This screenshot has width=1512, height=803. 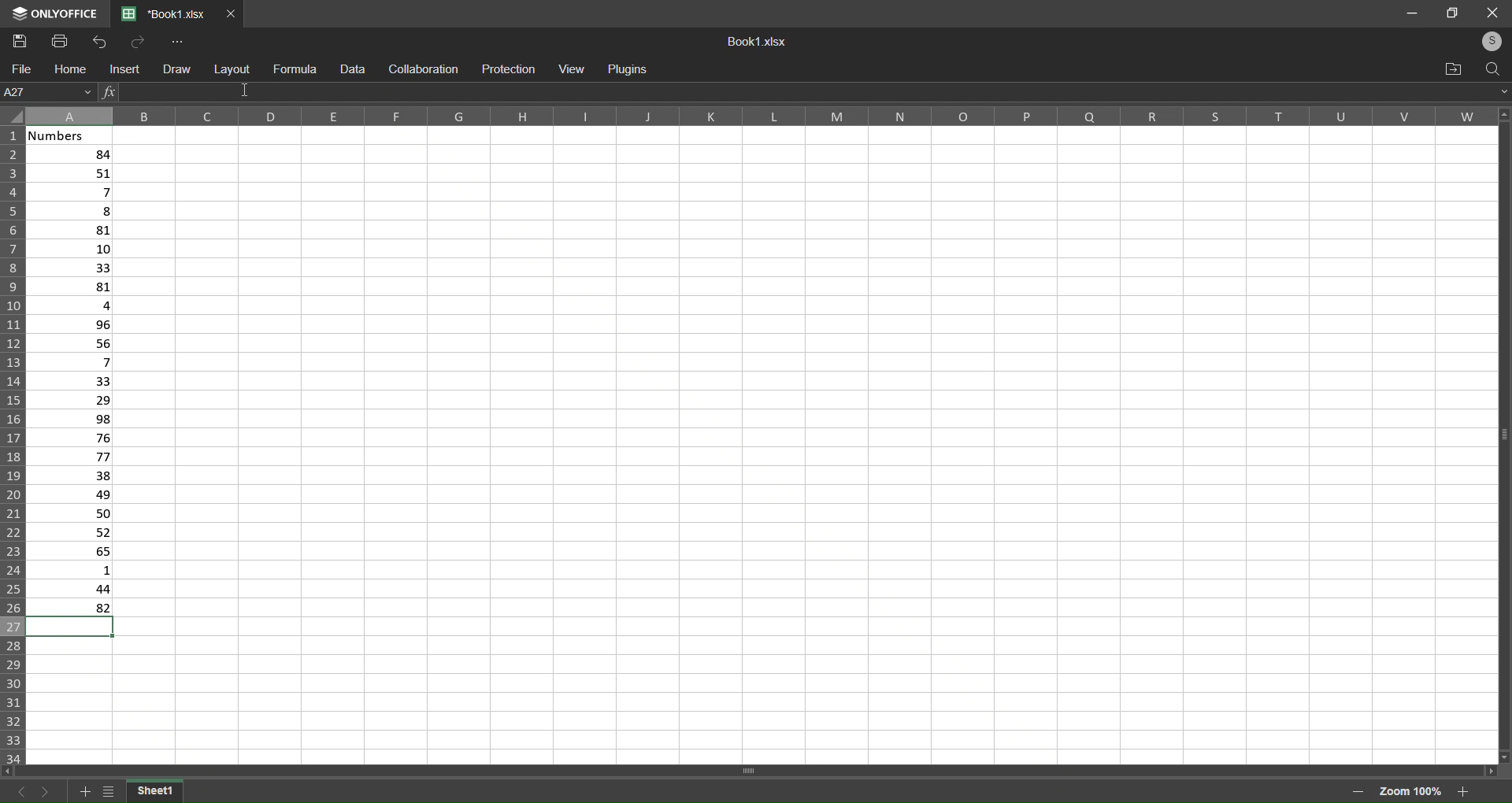 What do you see at coordinates (110, 790) in the screenshot?
I see `list of sheet` at bounding box center [110, 790].